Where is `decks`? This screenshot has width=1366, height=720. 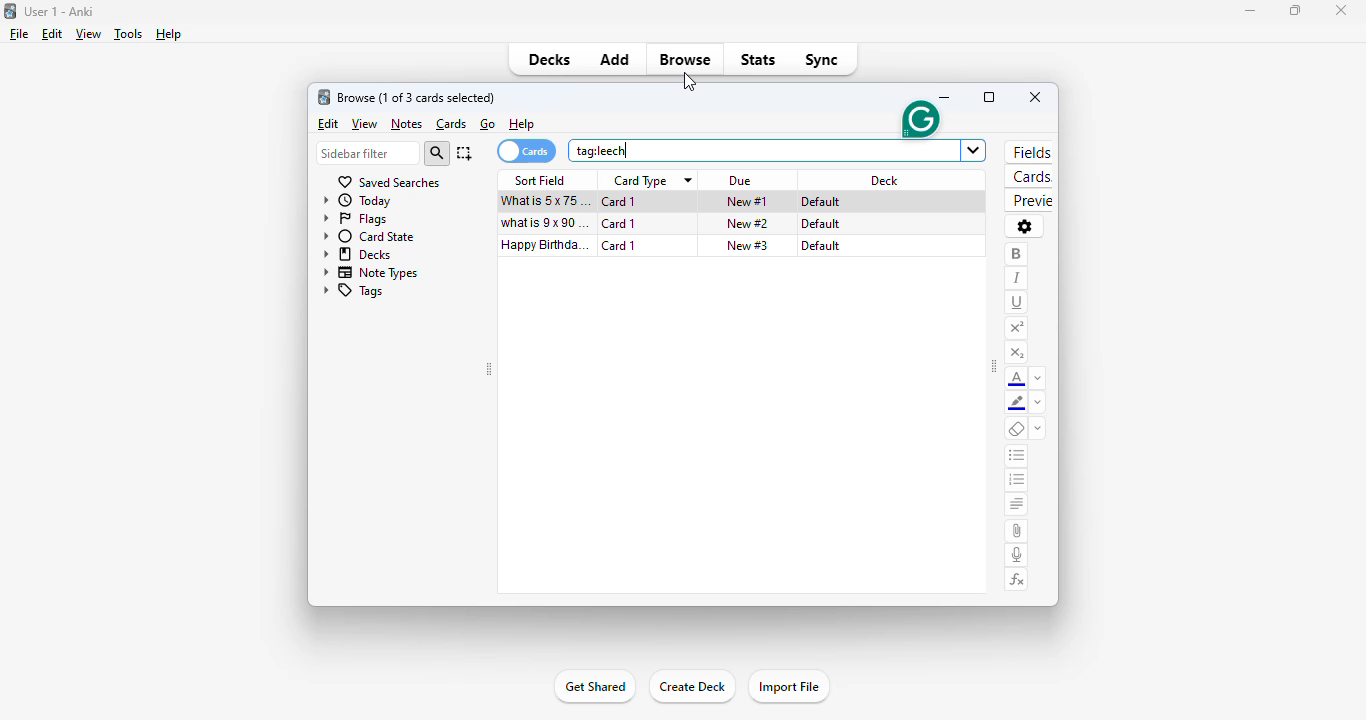 decks is located at coordinates (548, 59).